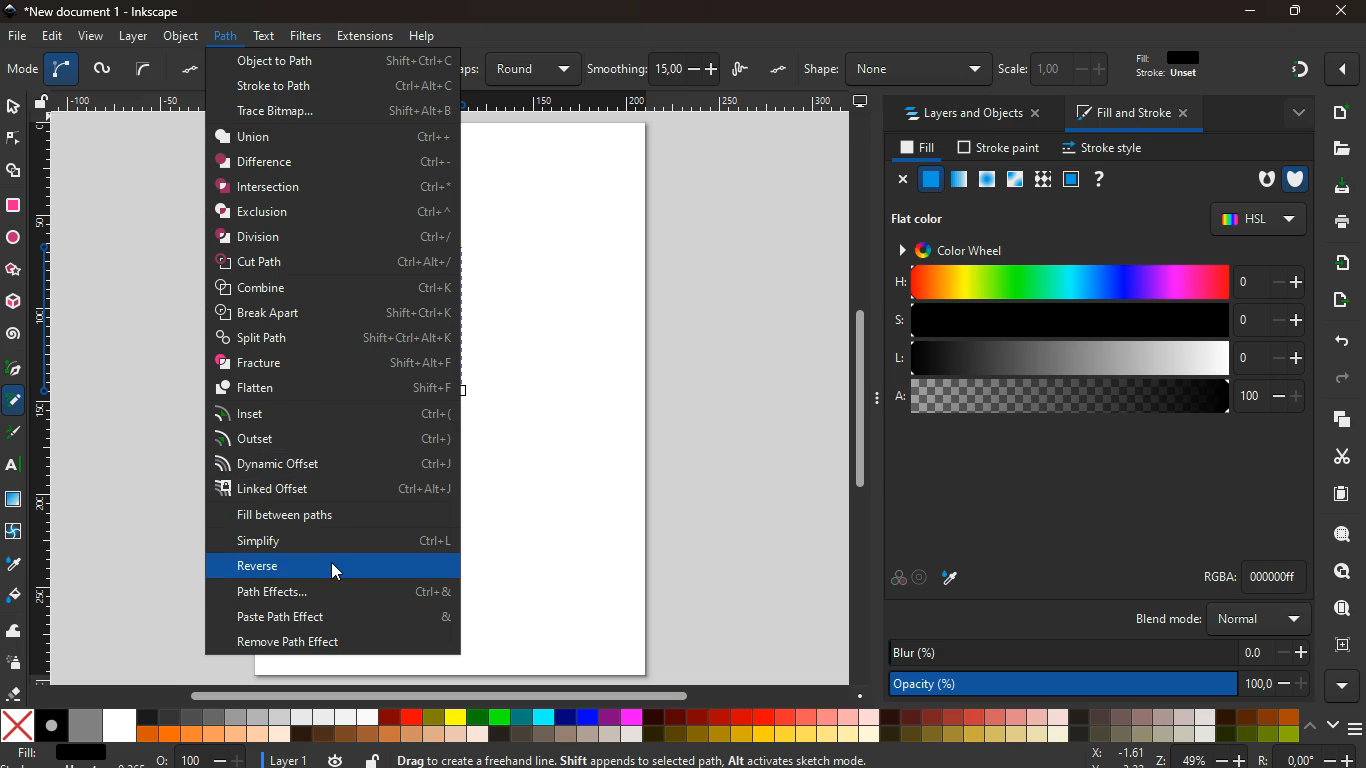 The height and width of the screenshot is (768, 1366). I want to click on find, so click(1342, 534).